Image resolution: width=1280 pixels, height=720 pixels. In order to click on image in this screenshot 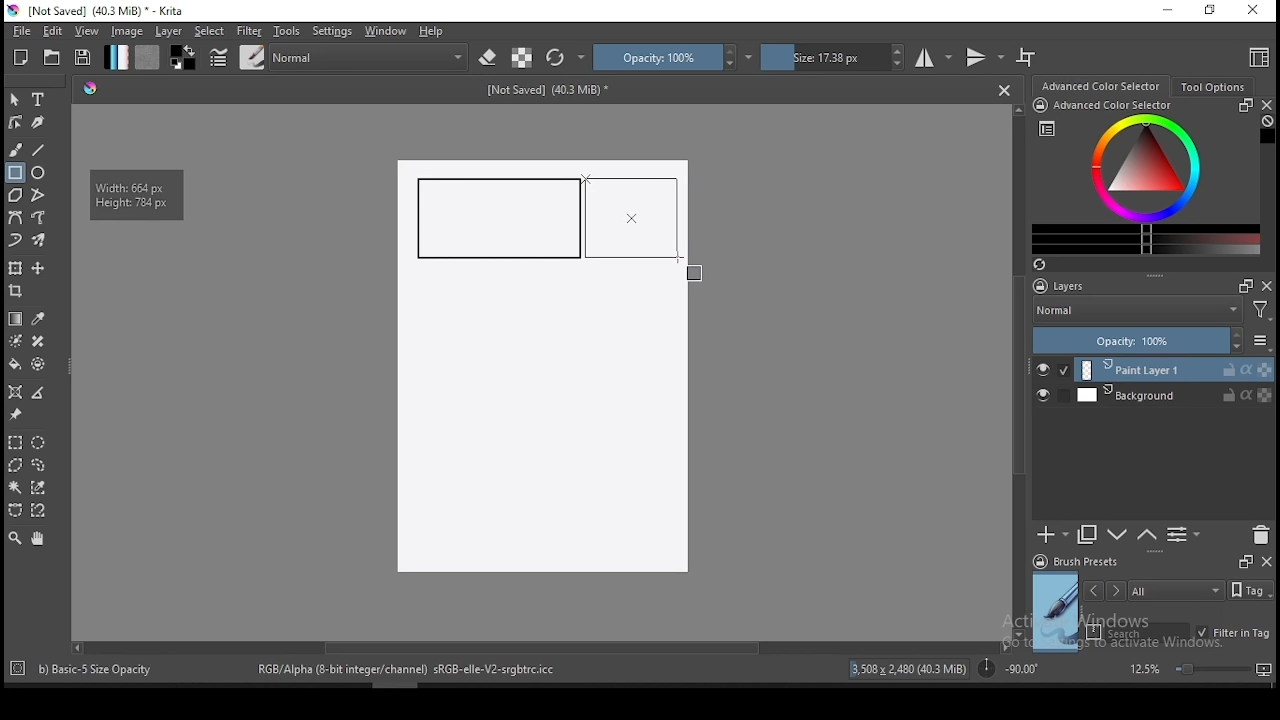, I will do `click(126, 31)`.